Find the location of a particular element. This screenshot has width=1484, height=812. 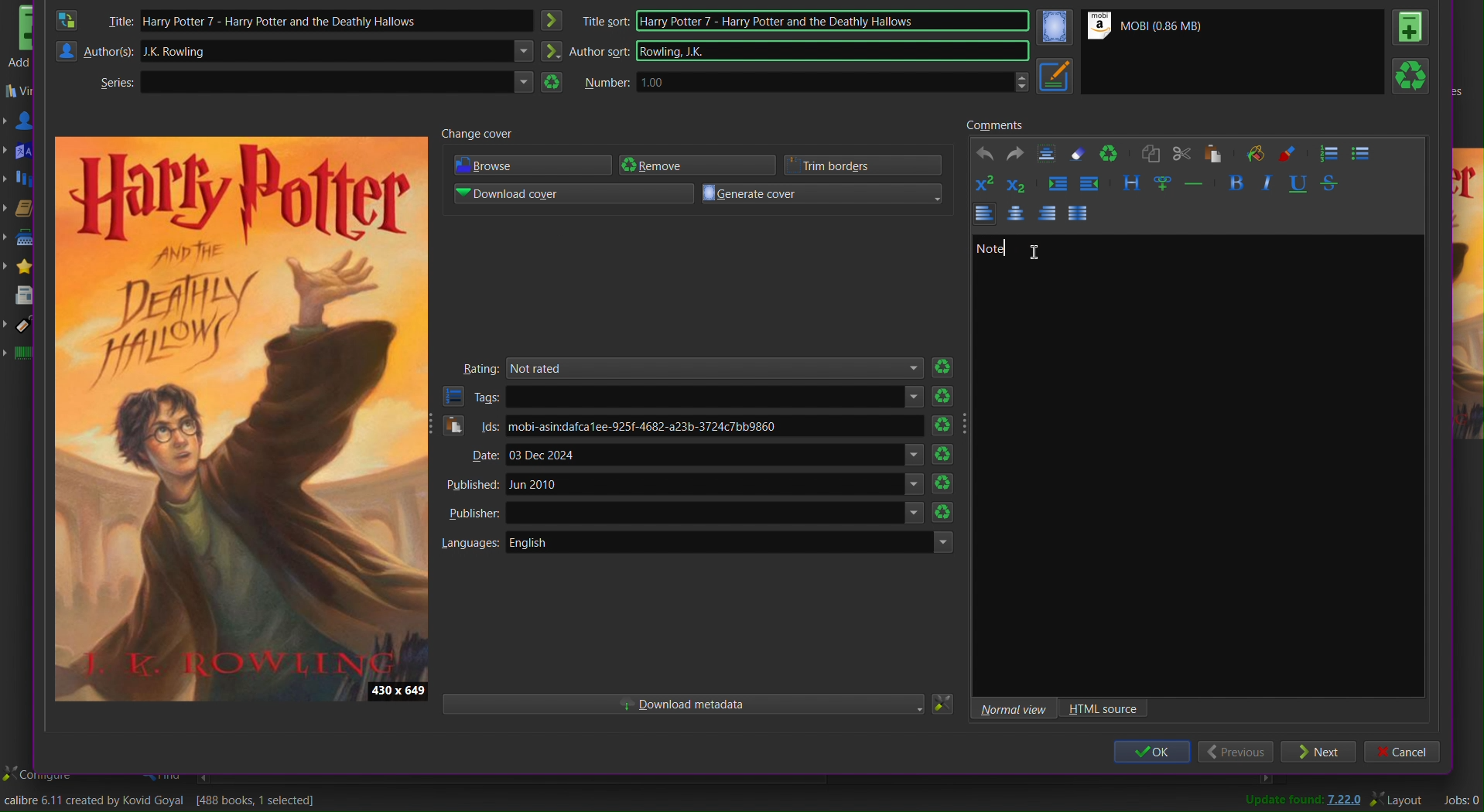

mobi is located at coordinates (715, 425).